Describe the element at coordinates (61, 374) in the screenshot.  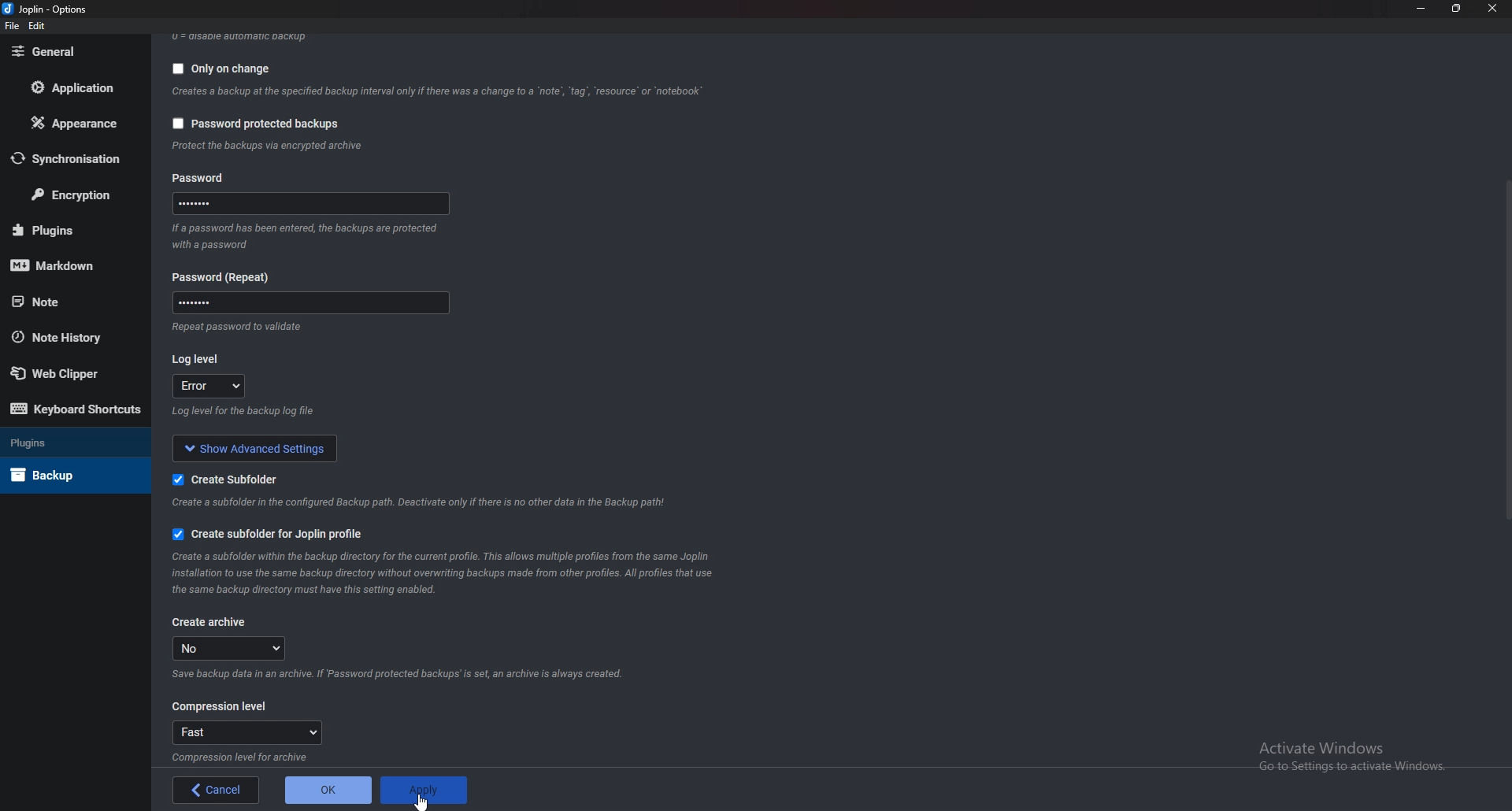
I see `Web Clipper` at that location.